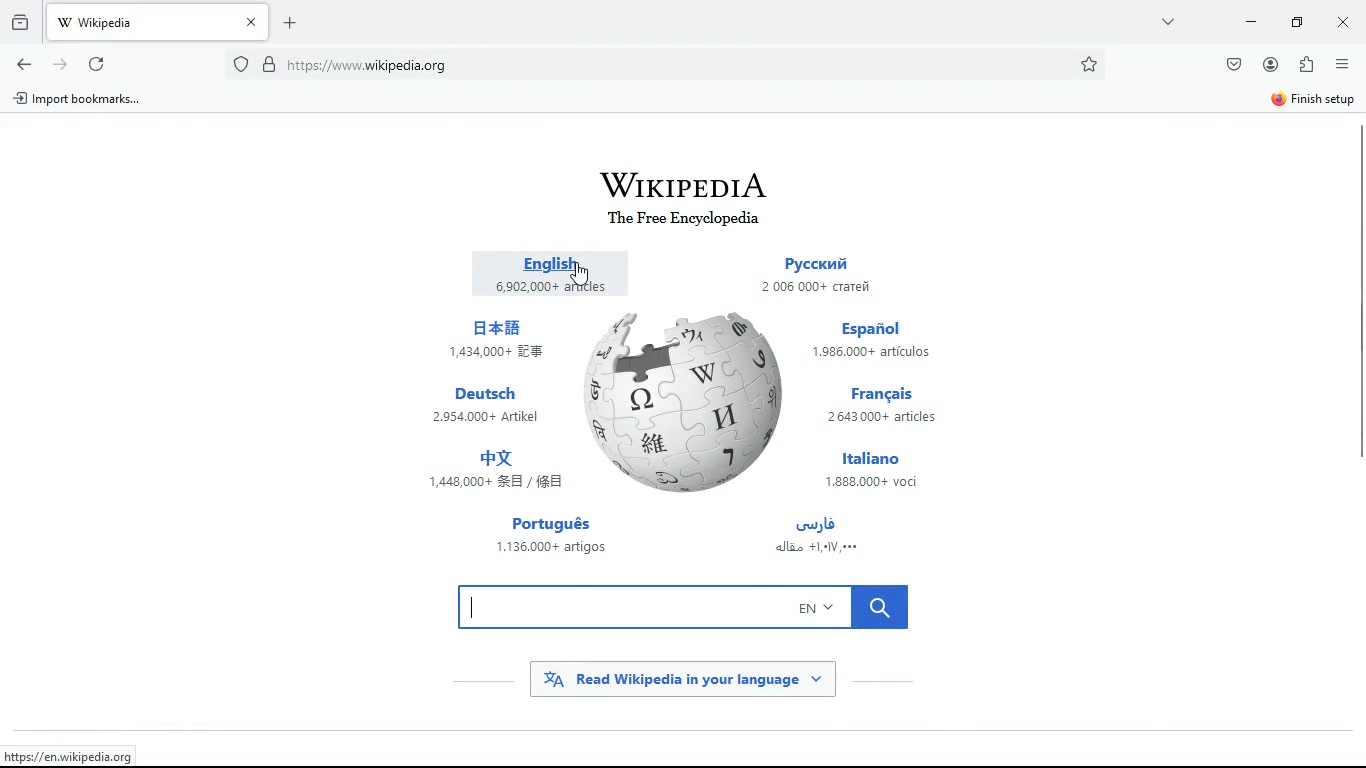 The image size is (1366, 768). What do you see at coordinates (1297, 21) in the screenshot?
I see `maximize` at bounding box center [1297, 21].